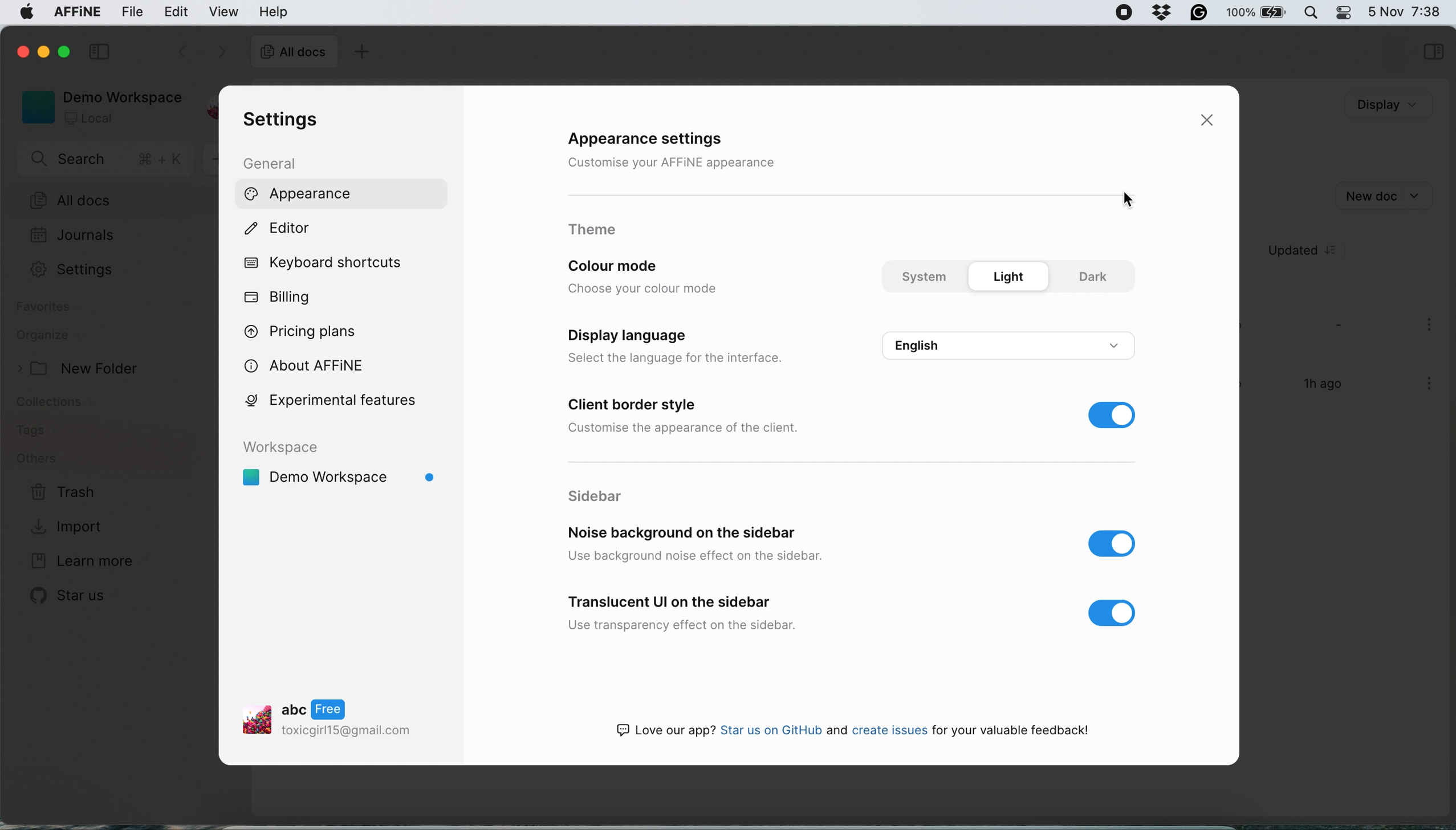 The height and width of the screenshot is (830, 1456). I want to click on toggle button, so click(1120, 613).